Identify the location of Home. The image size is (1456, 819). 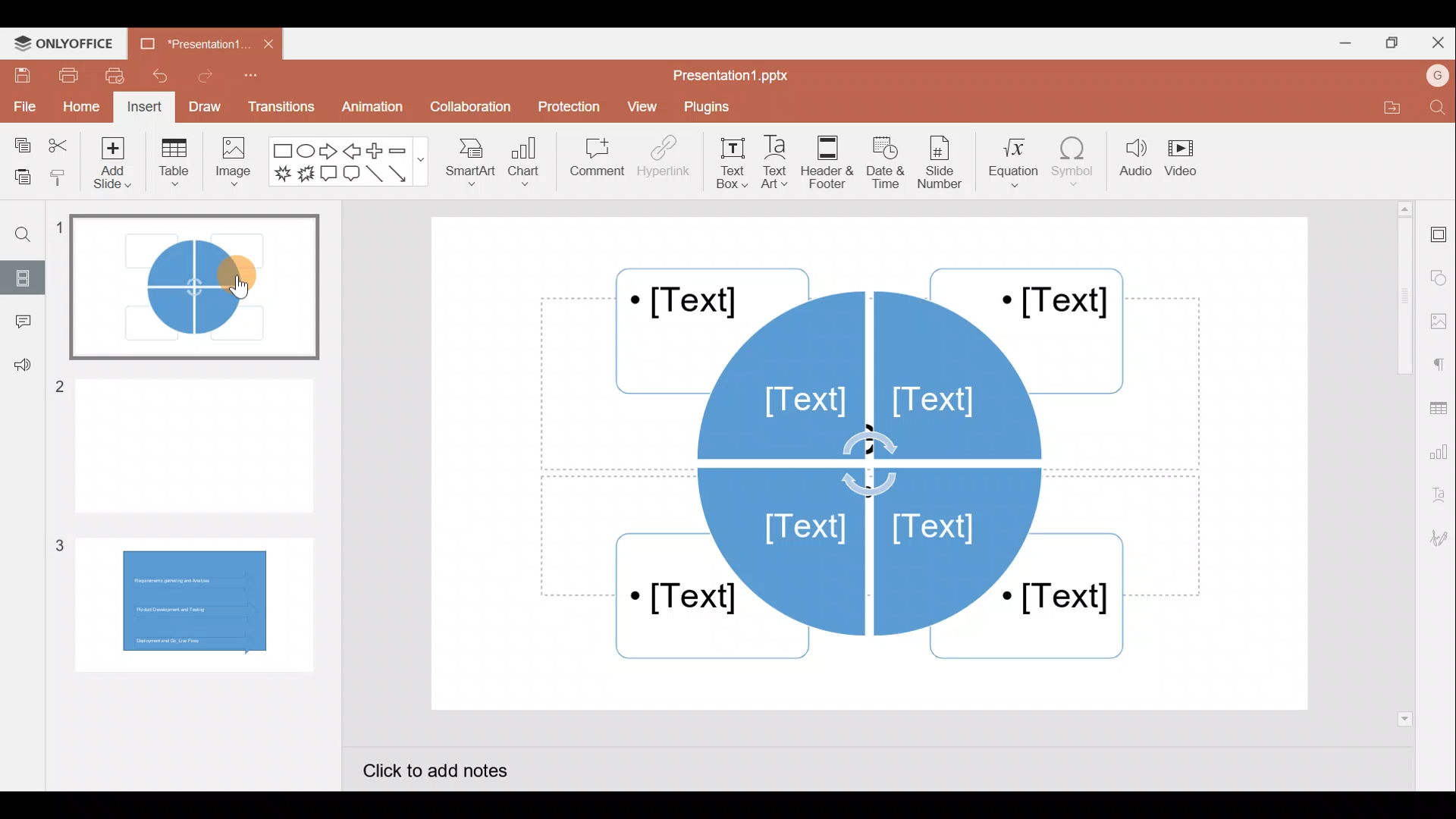
(80, 108).